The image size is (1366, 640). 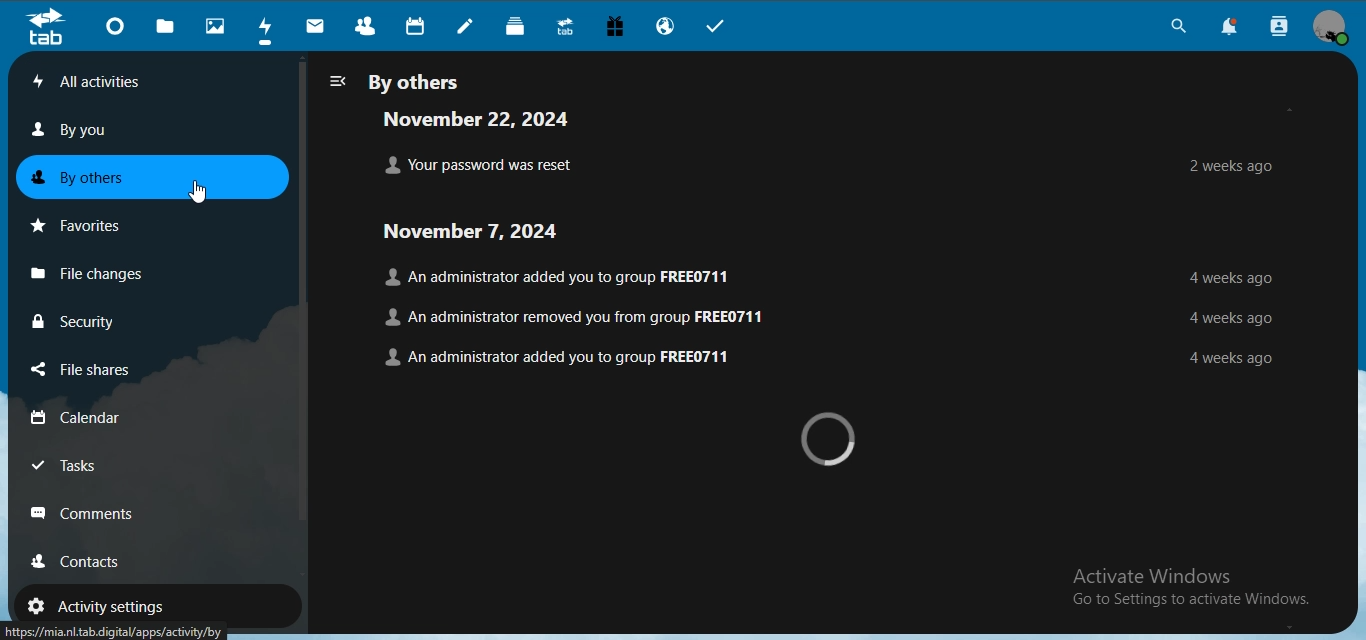 What do you see at coordinates (214, 25) in the screenshot?
I see `photos` at bounding box center [214, 25].